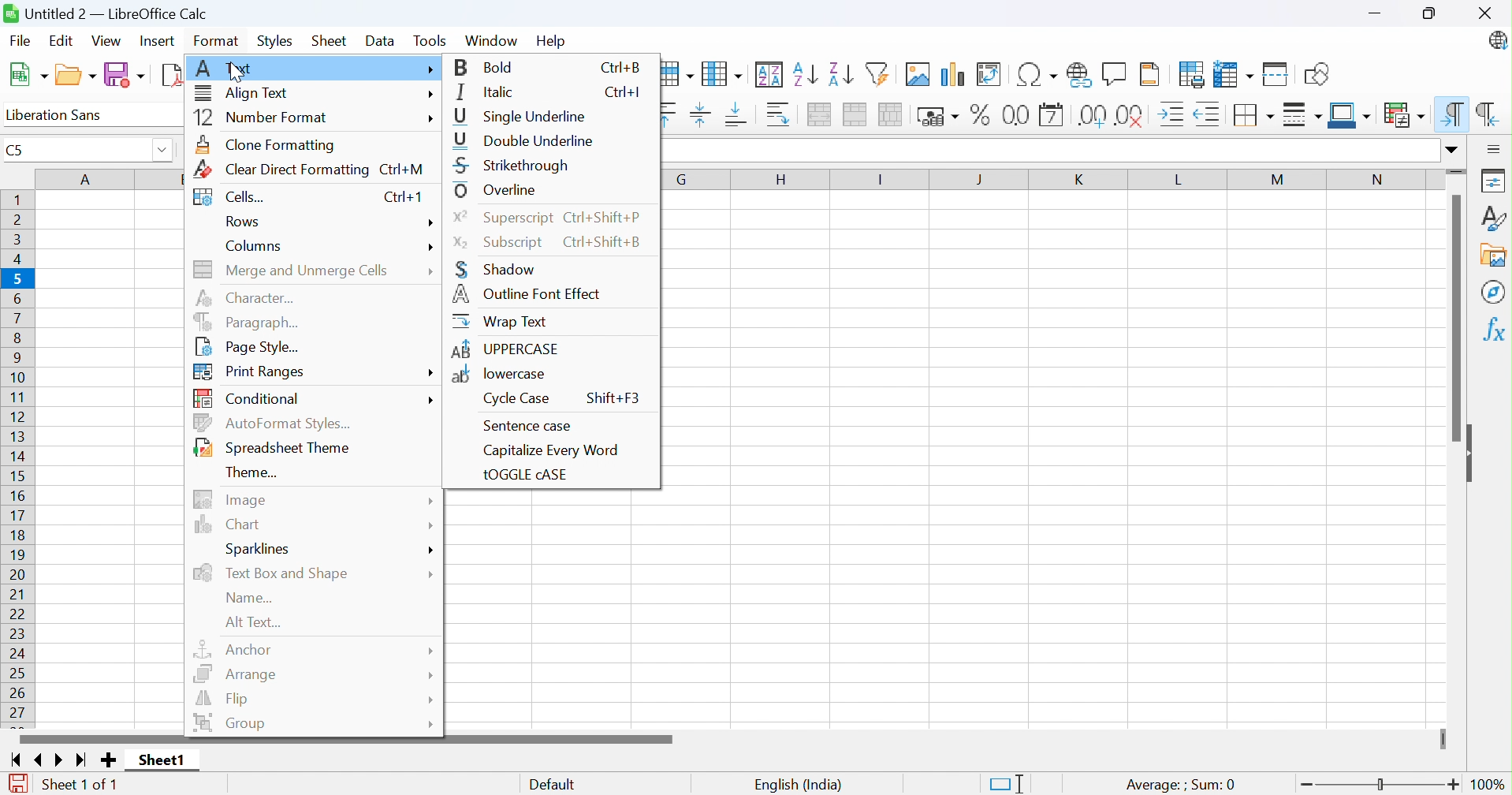  What do you see at coordinates (1443, 740) in the screenshot?
I see `Slider` at bounding box center [1443, 740].